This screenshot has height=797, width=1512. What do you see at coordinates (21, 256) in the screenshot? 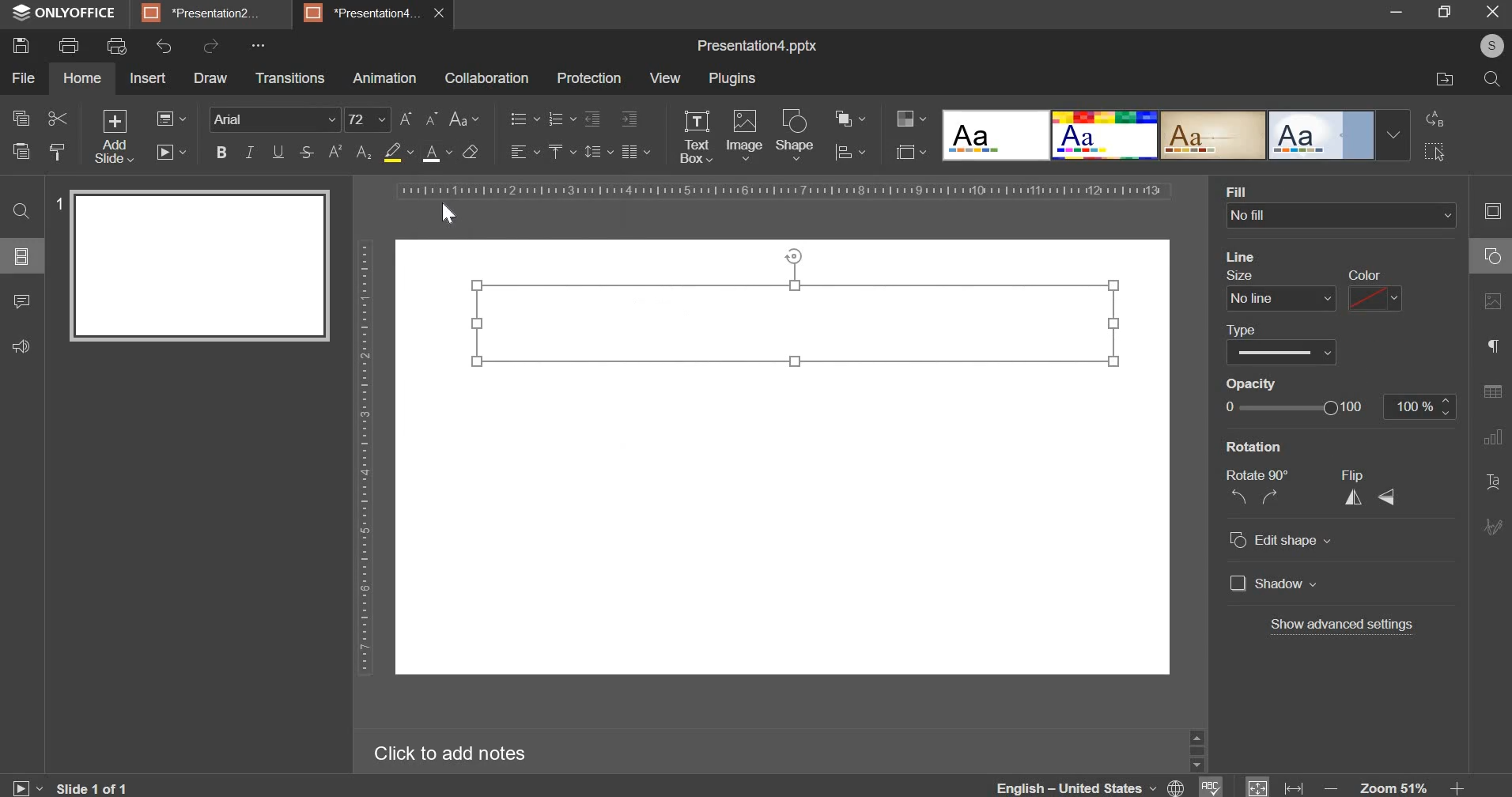
I see `slide menu` at bounding box center [21, 256].